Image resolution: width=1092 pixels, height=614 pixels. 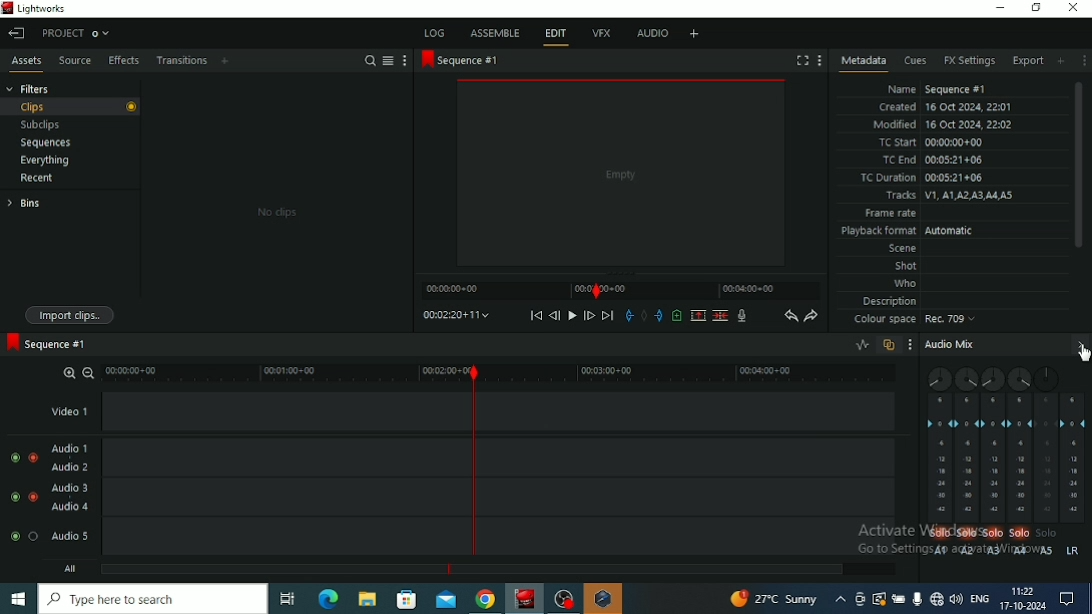 What do you see at coordinates (863, 345) in the screenshot?
I see `Toggle audio levels editing` at bounding box center [863, 345].